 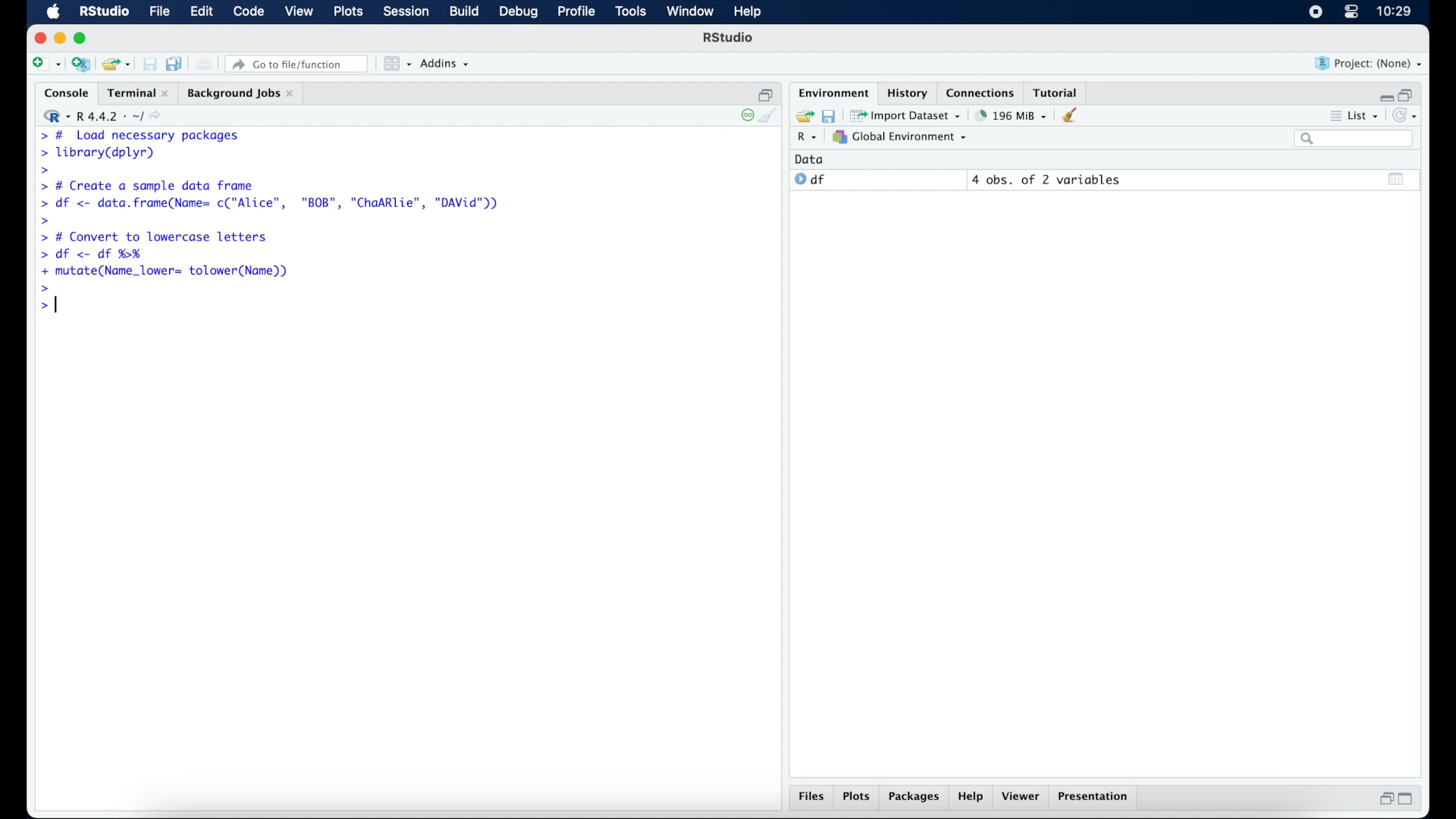 I want to click on restore down, so click(x=766, y=93).